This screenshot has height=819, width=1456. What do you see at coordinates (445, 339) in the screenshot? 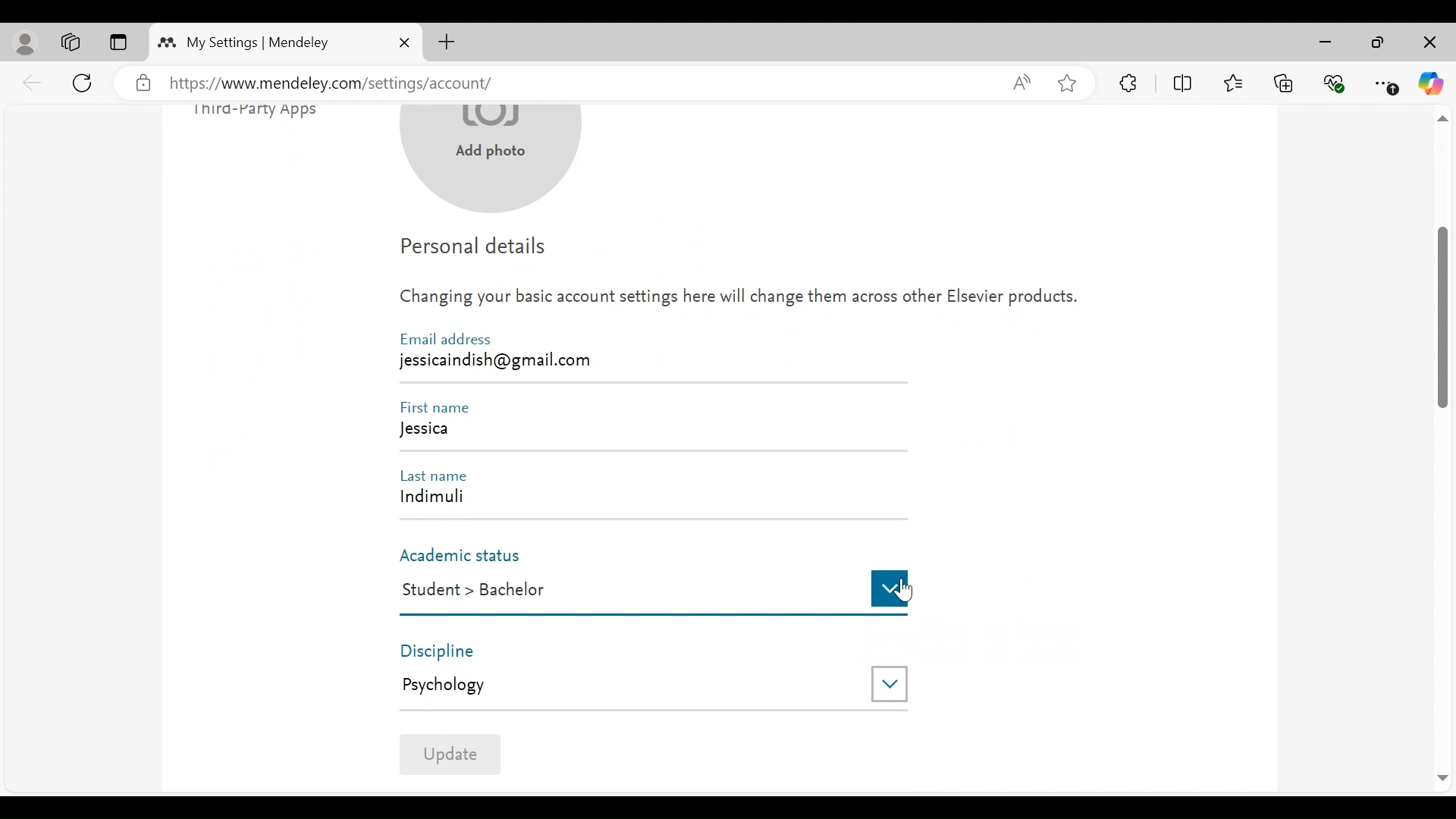
I see `Email Address` at bounding box center [445, 339].